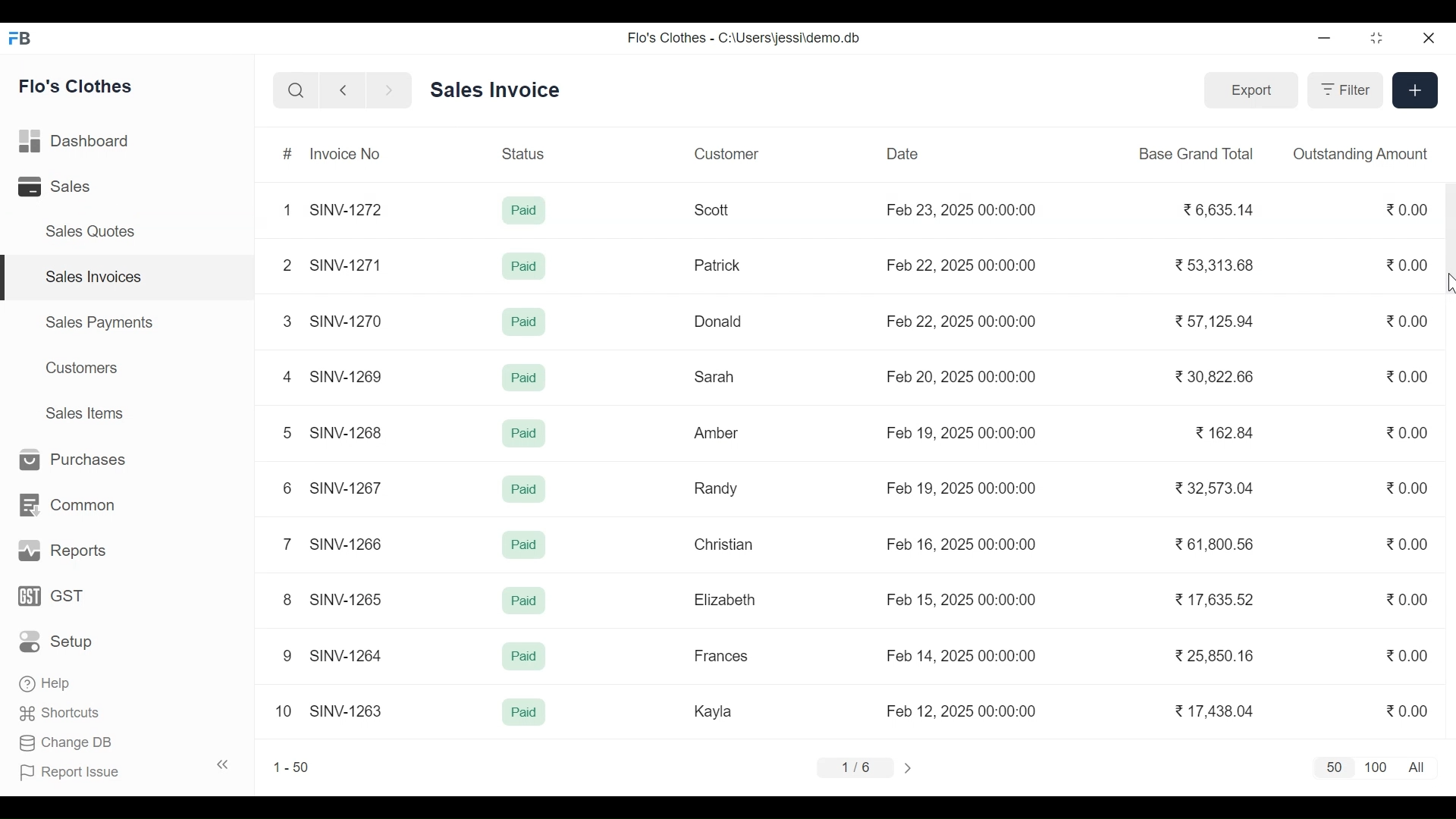 The height and width of the screenshot is (819, 1456). Describe the element at coordinates (1414, 89) in the screenshot. I see `Create` at that location.